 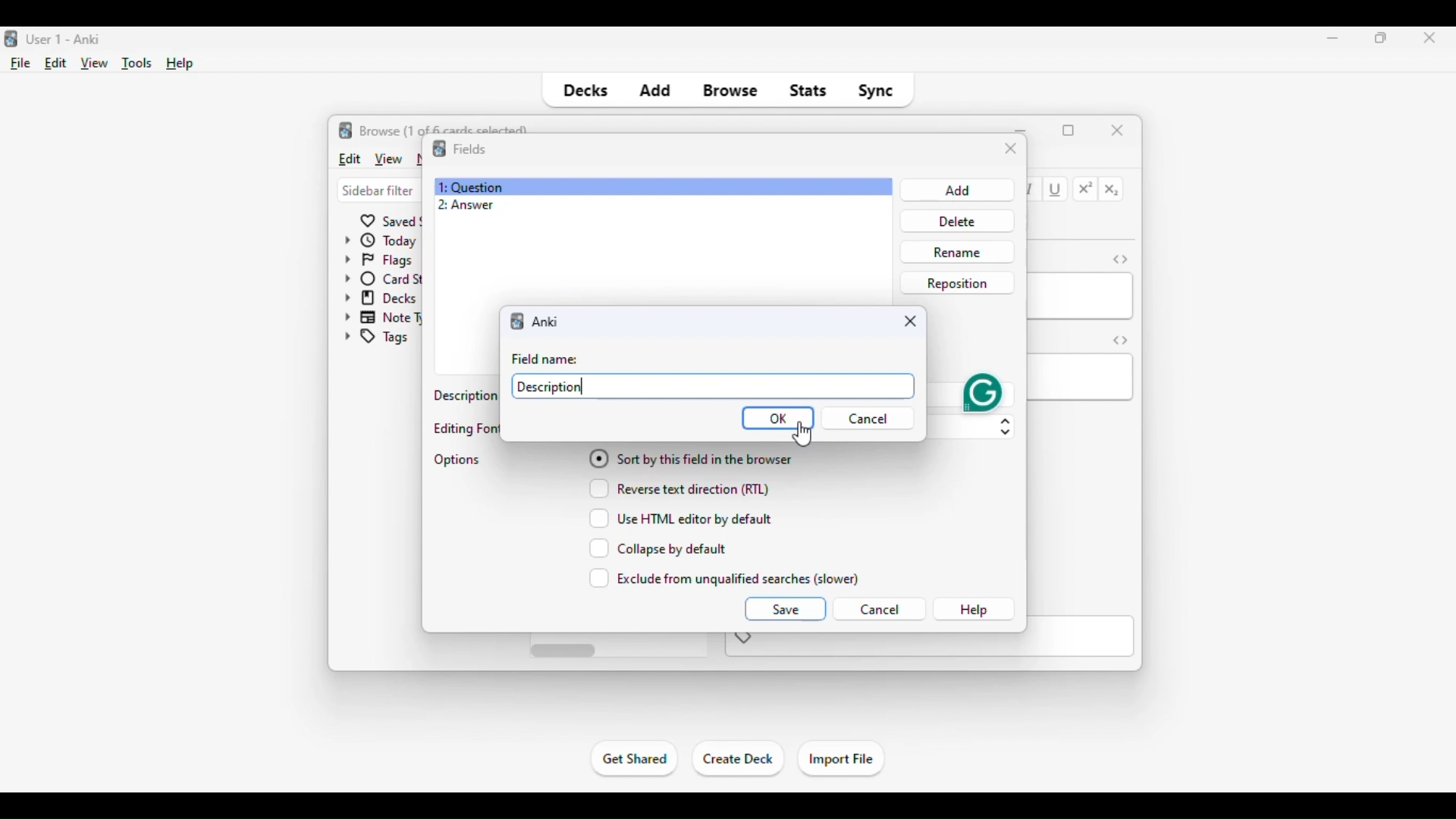 What do you see at coordinates (974, 610) in the screenshot?
I see `help` at bounding box center [974, 610].